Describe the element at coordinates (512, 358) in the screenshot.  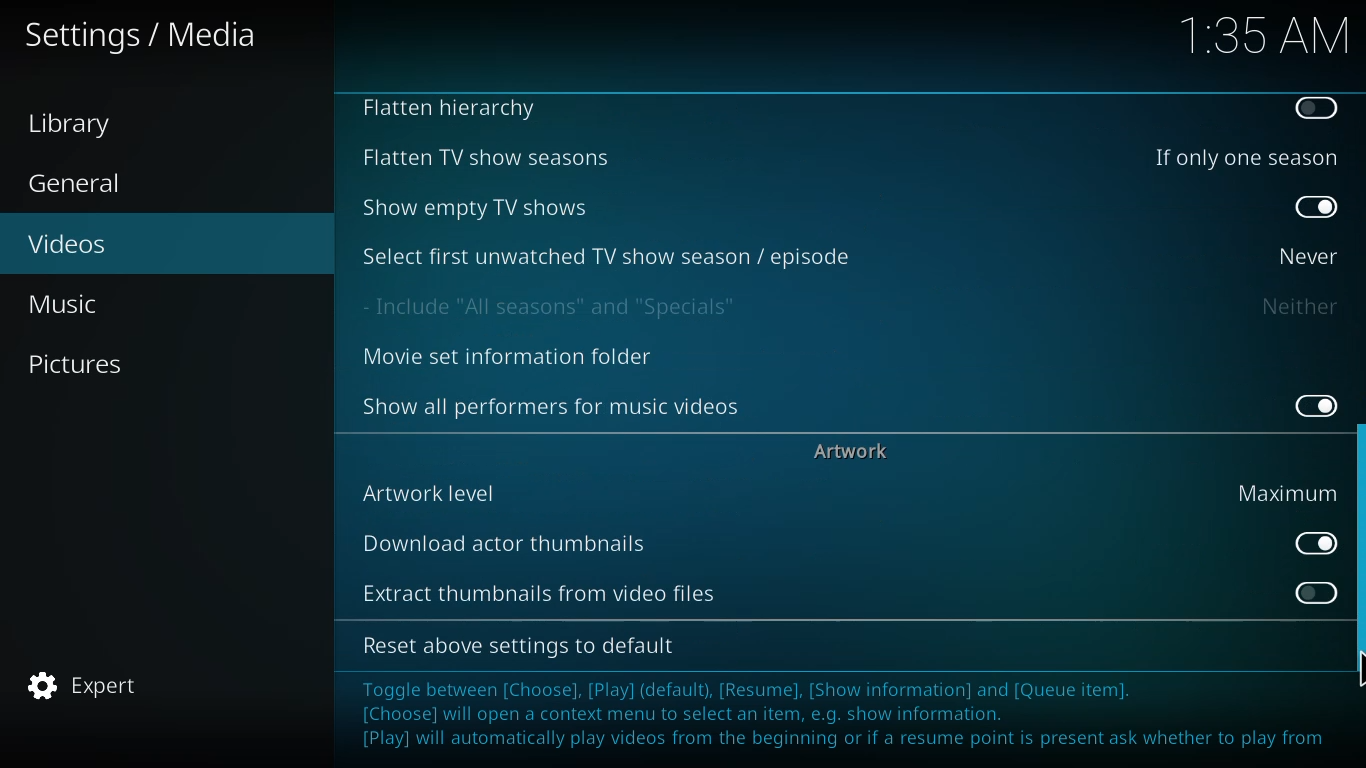
I see `movie set info` at that location.